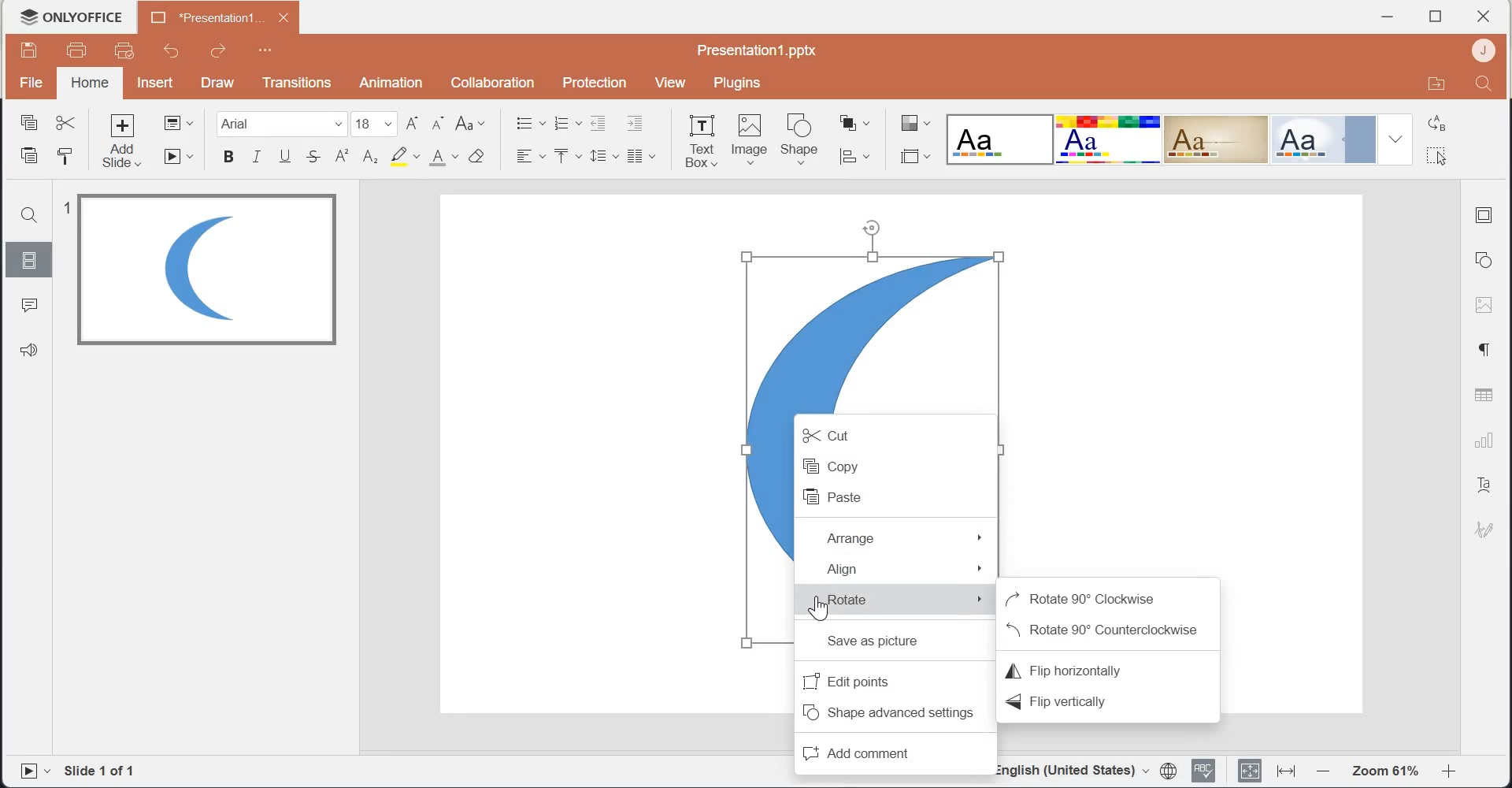  Describe the element at coordinates (914, 158) in the screenshot. I see `Select slide size` at that location.